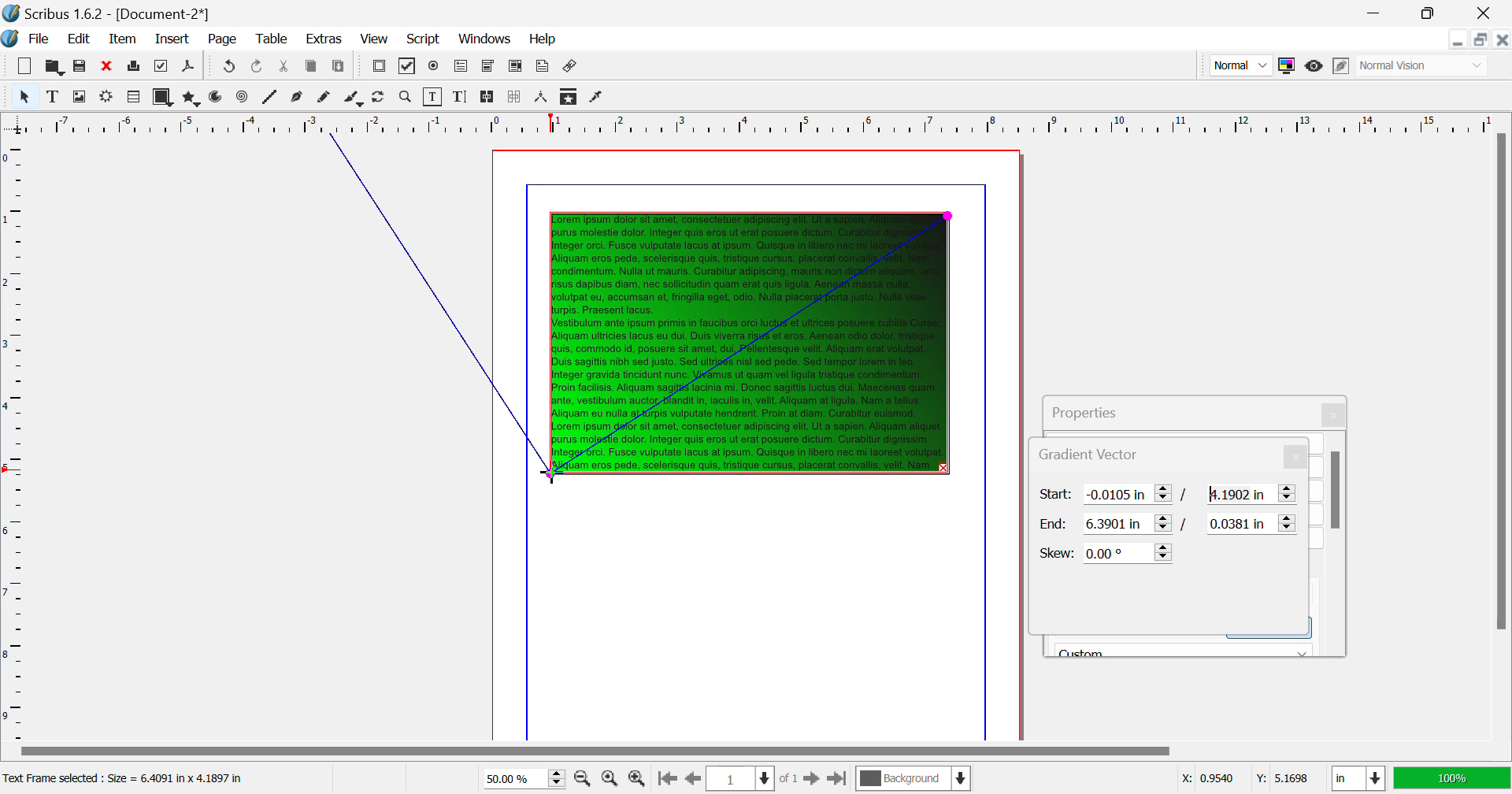 This screenshot has height=794, width=1512. What do you see at coordinates (543, 98) in the screenshot?
I see `Measurements` at bounding box center [543, 98].